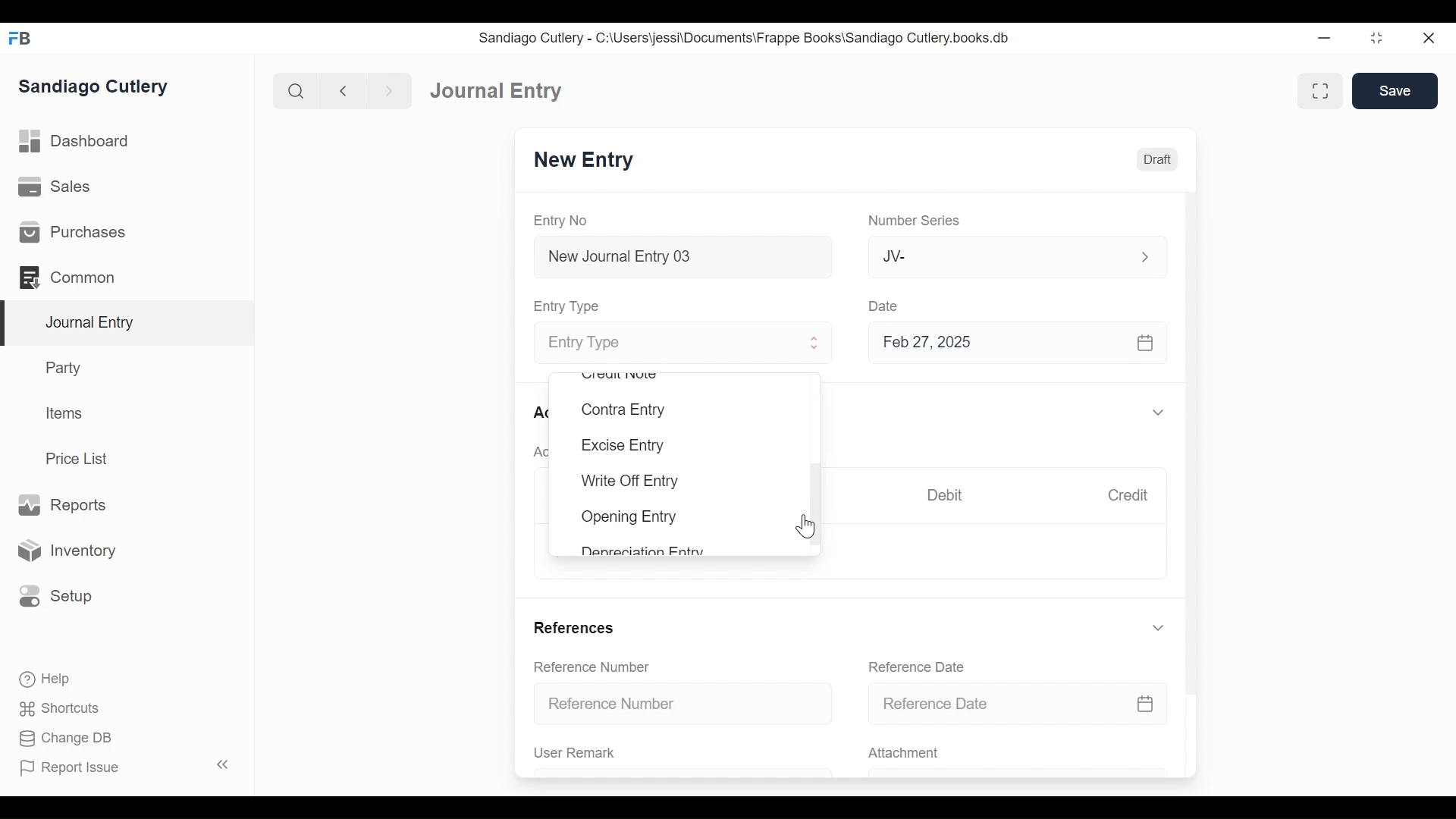 Image resolution: width=1456 pixels, height=819 pixels. I want to click on Expand, so click(816, 344).